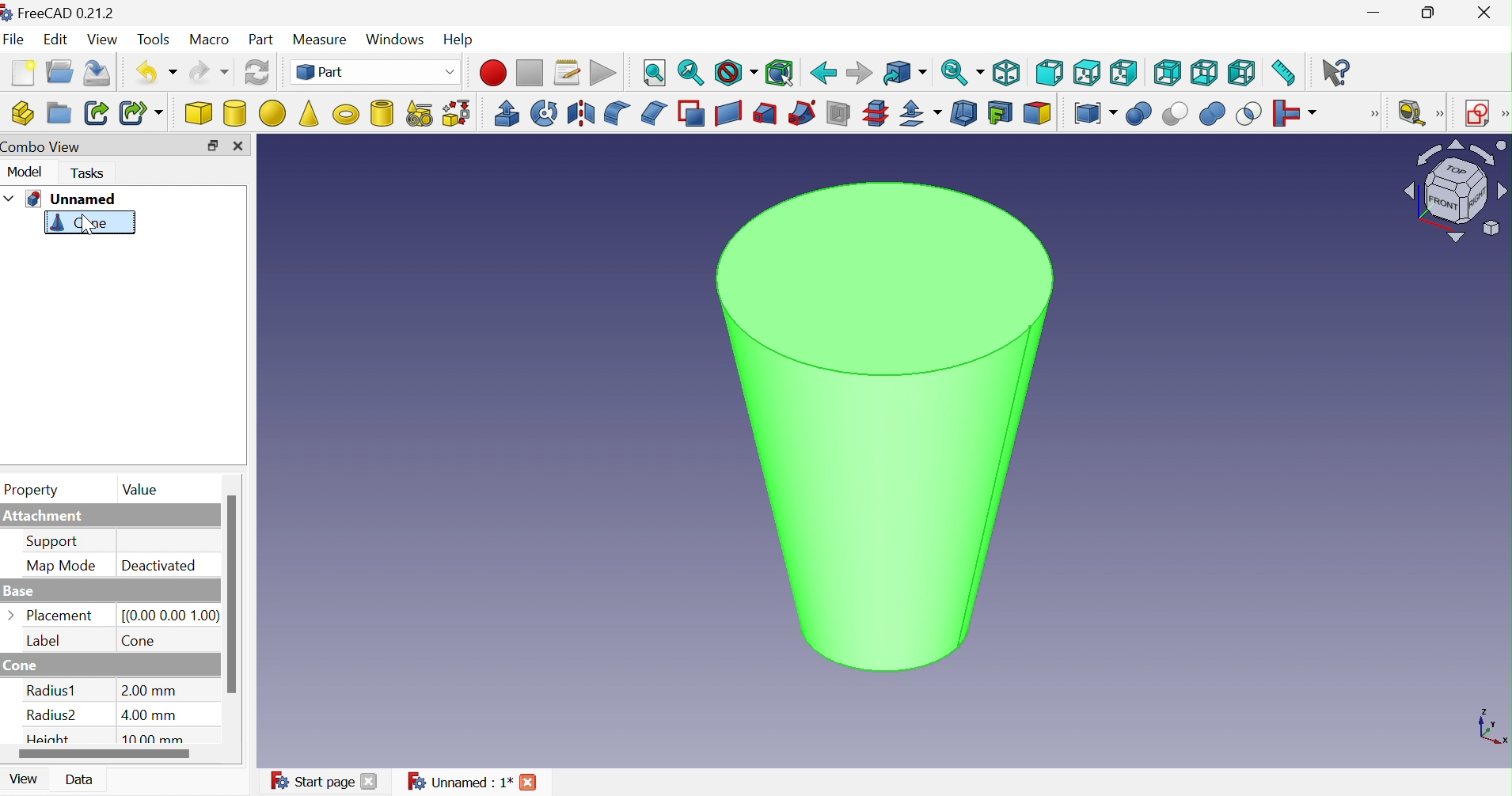  Describe the element at coordinates (46, 148) in the screenshot. I see `Combo View` at that location.